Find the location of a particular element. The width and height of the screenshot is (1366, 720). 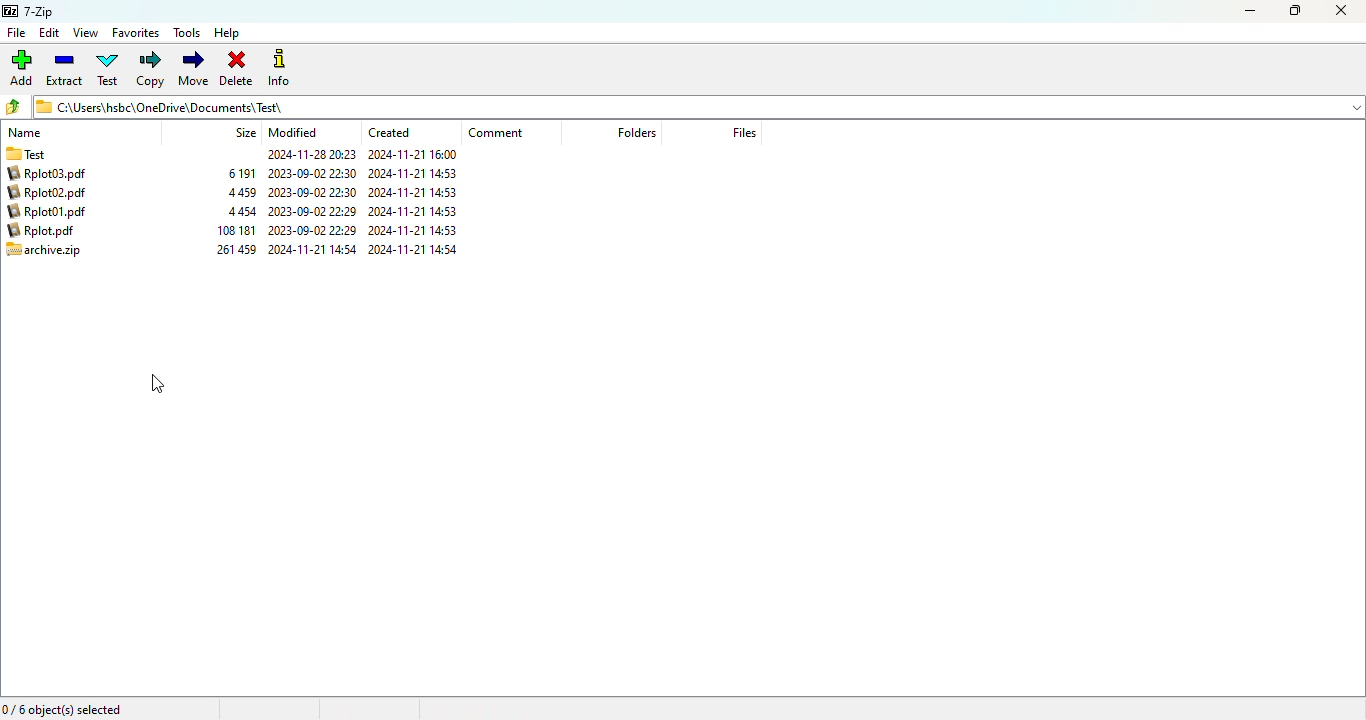

106 181 is located at coordinates (238, 250).